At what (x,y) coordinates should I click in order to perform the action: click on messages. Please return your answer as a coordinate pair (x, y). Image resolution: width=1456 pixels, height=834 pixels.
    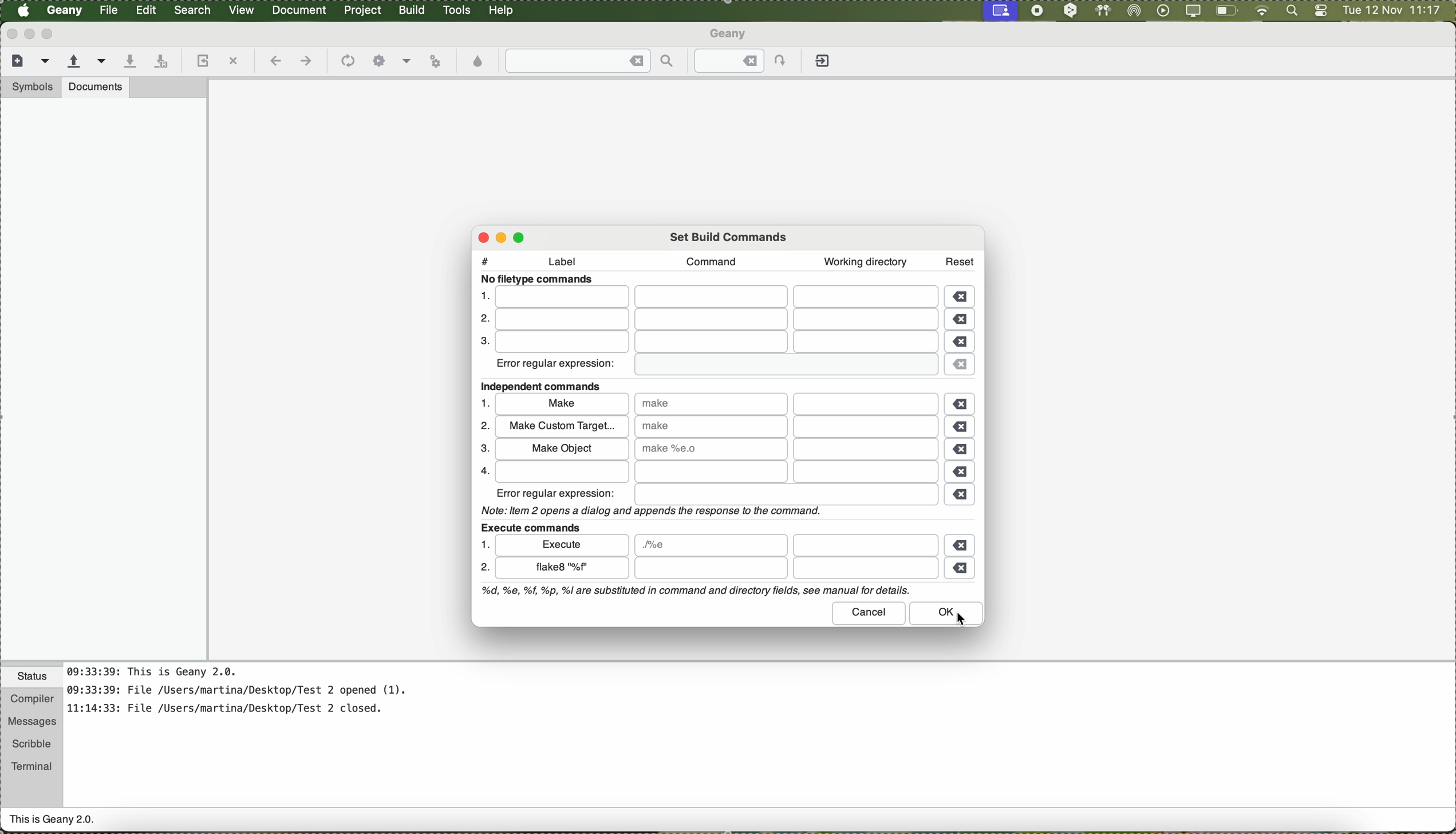
    Looking at the image, I should click on (31, 722).